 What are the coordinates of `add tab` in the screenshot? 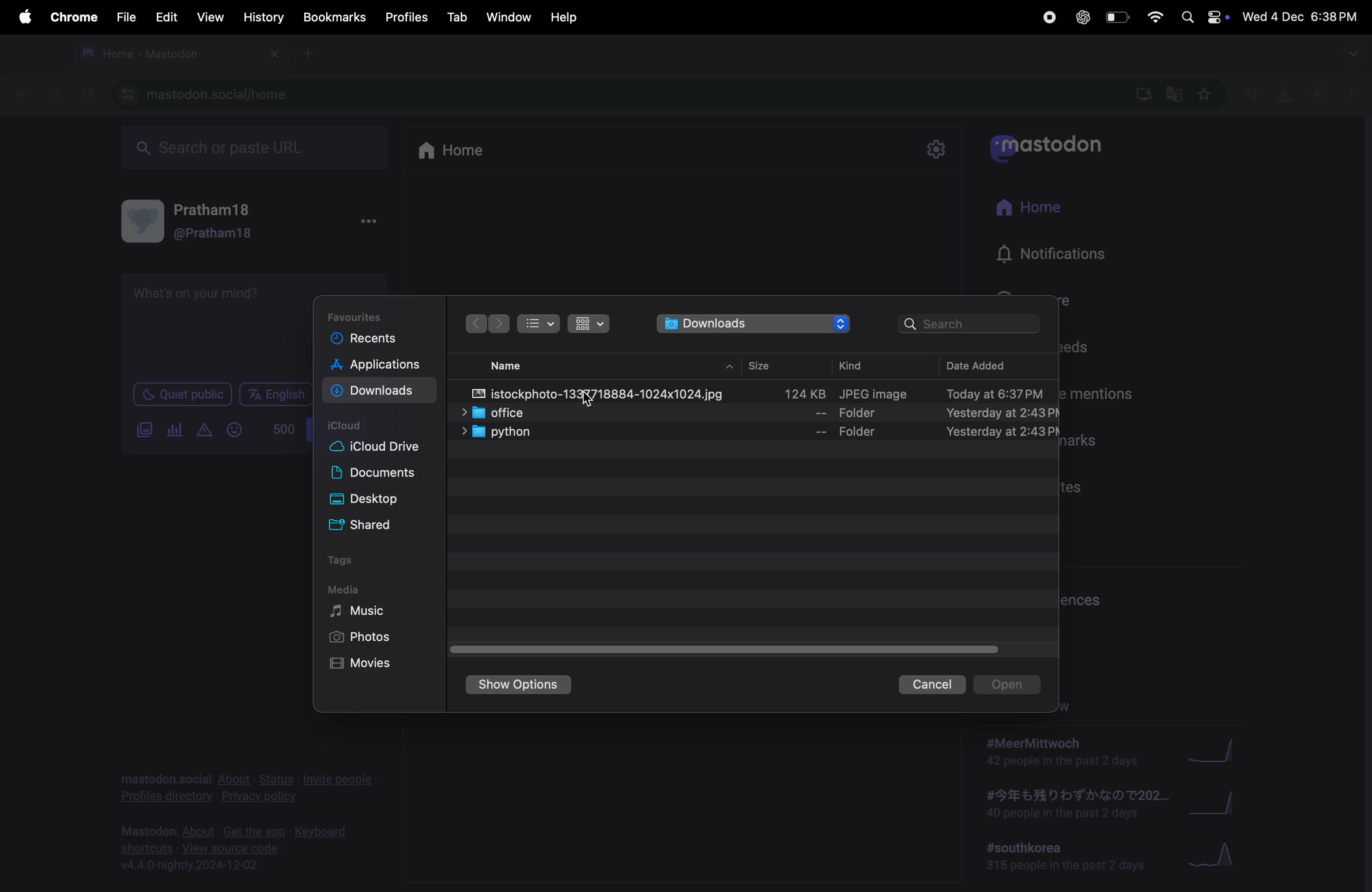 It's located at (311, 58).